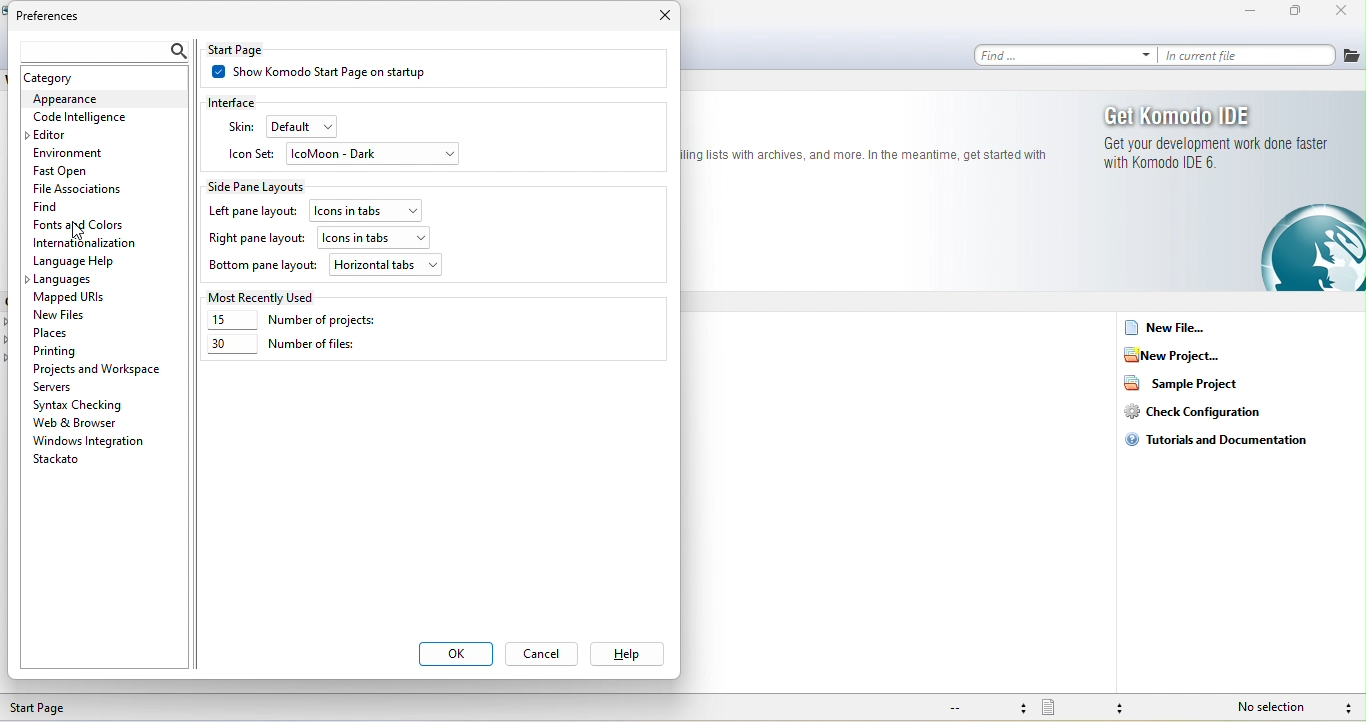 This screenshot has height=722, width=1366. What do you see at coordinates (394, 238) in the screenshot?
I see `icons in tabs` at bounding box center [394, 238].